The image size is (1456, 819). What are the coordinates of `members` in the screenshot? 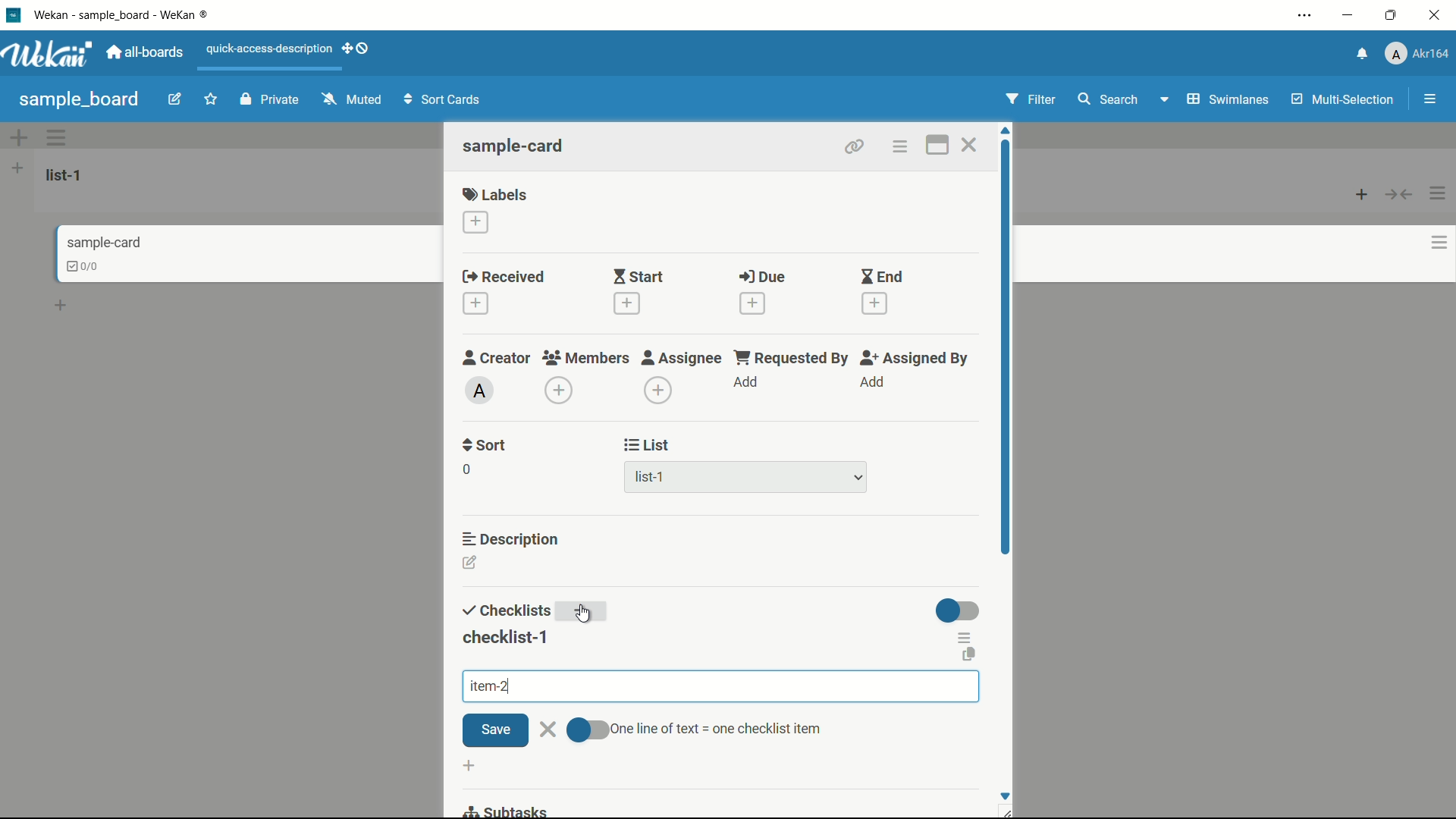 It's located at (585, 359).